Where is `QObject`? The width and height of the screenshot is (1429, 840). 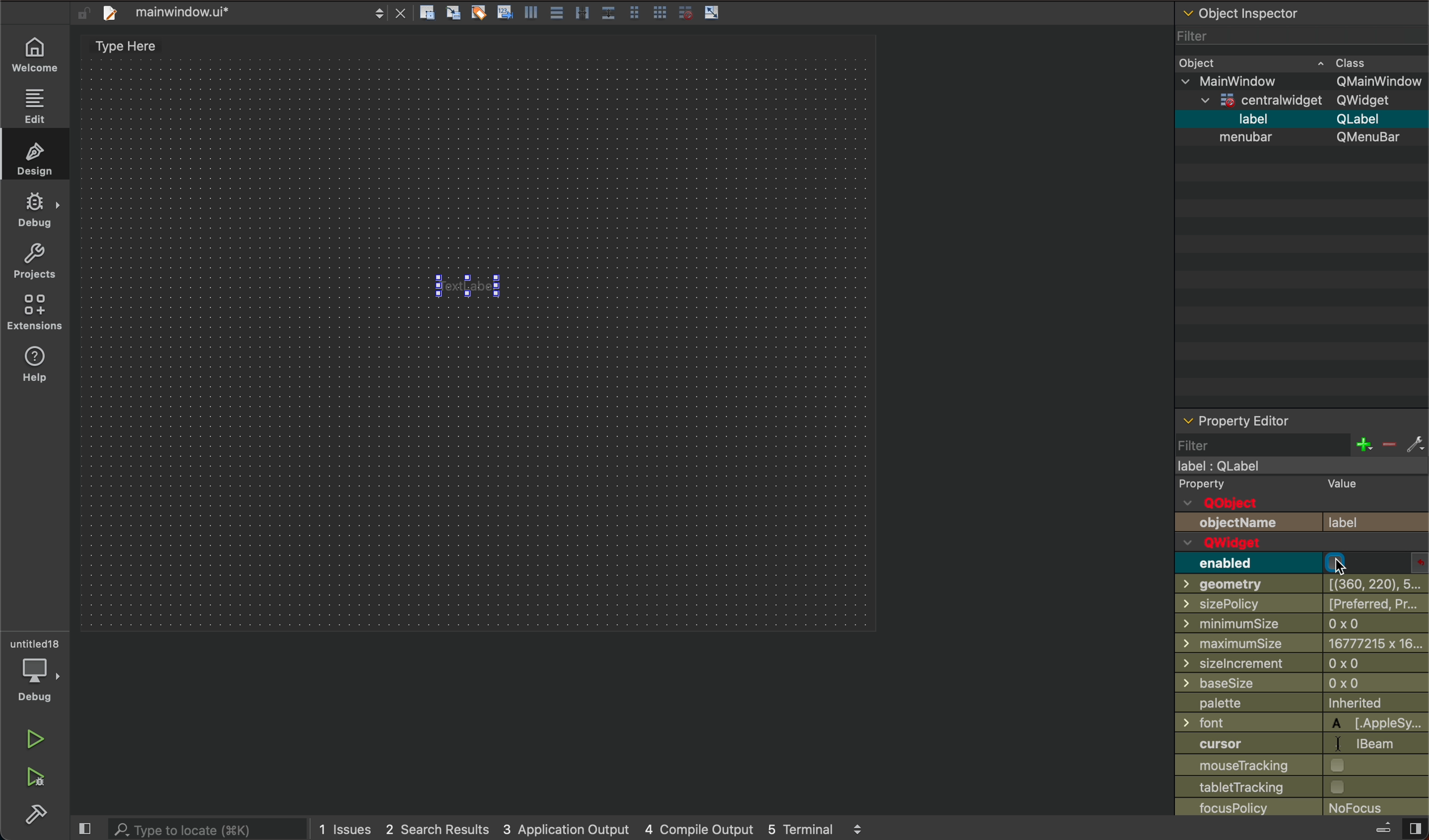 QObject is located at coordinates (1225, 502).